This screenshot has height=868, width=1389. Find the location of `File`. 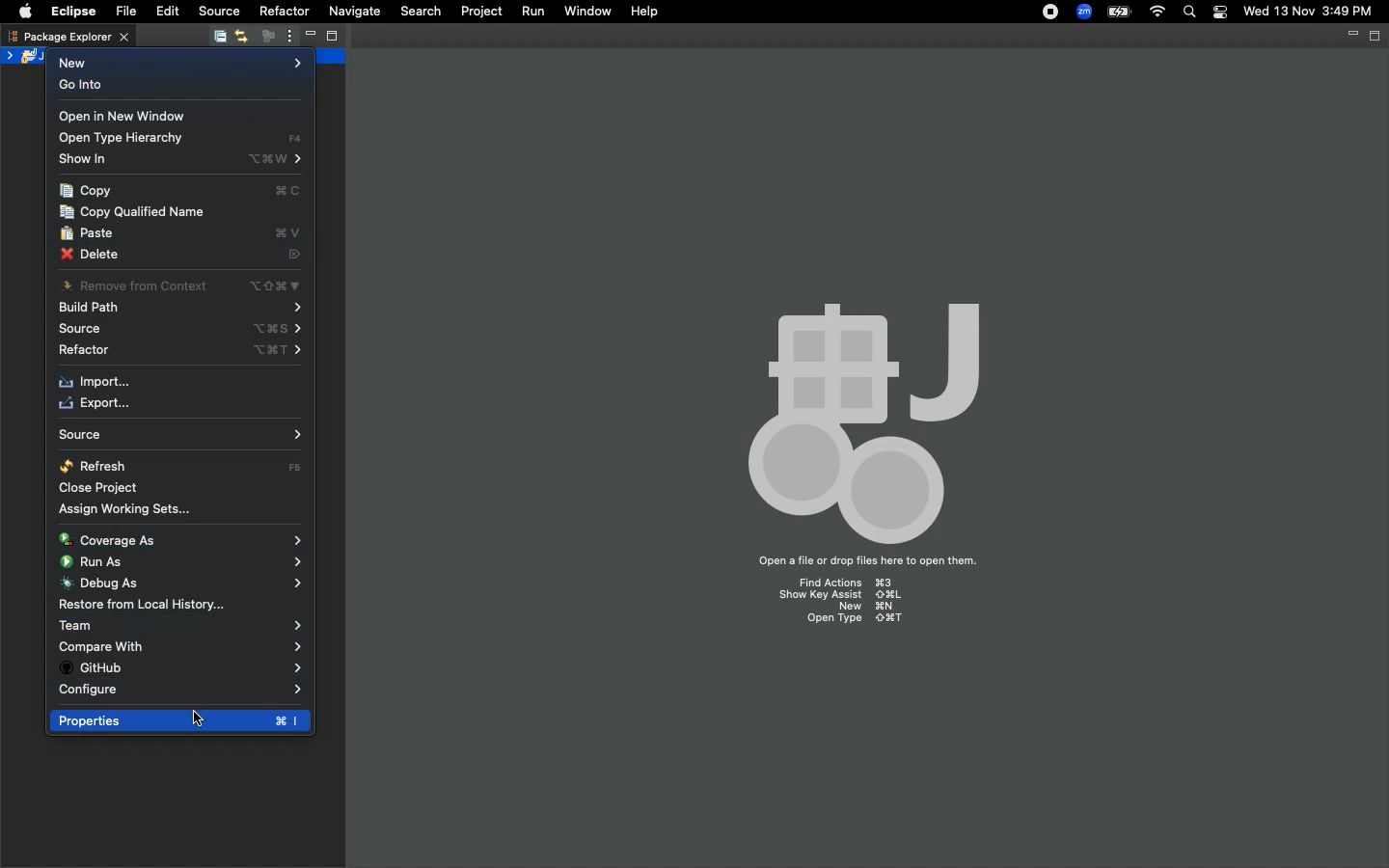

File is located at coordinates (131, 12).